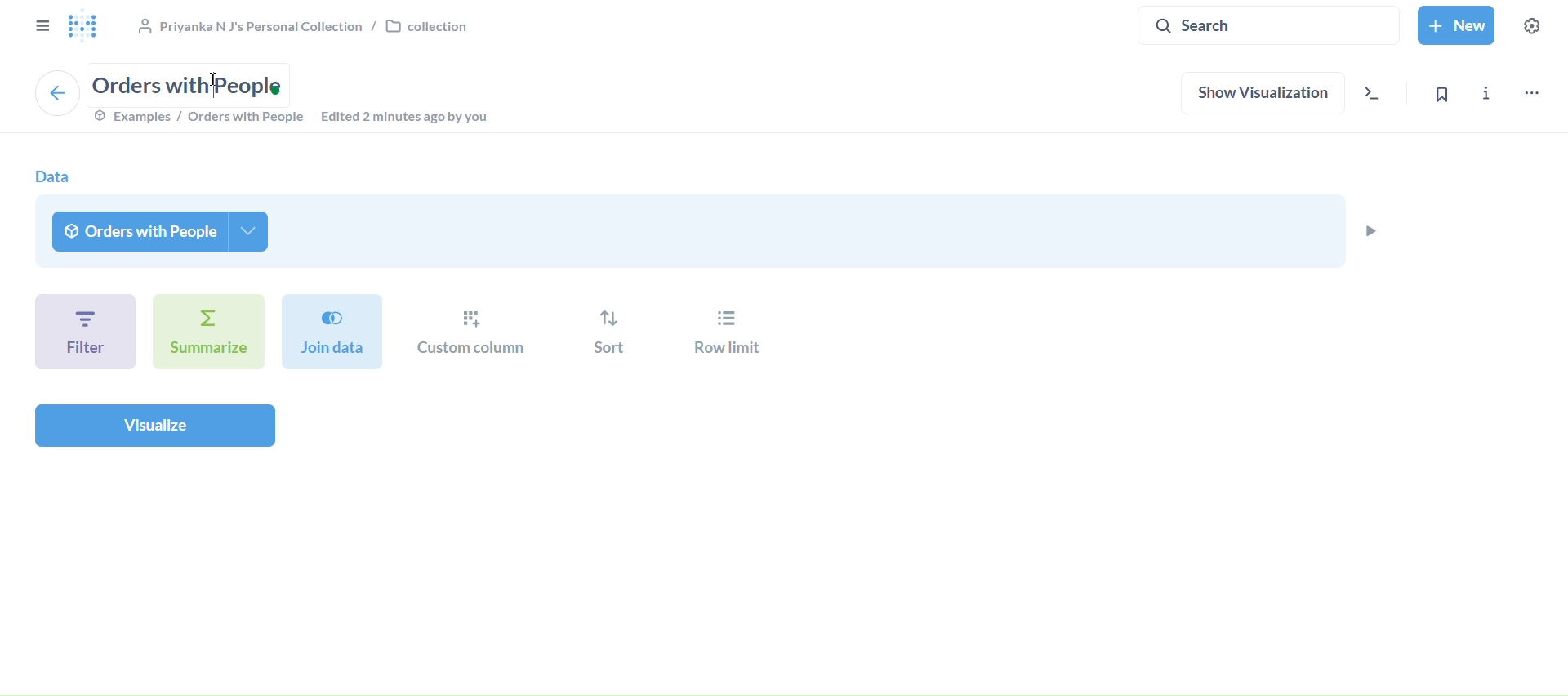 The height and width of the screenshot is (696, 1568). What do you see at coordinates (216, 79) in the screenshot?
I see `Cursor` at bounding box center [216, 79].